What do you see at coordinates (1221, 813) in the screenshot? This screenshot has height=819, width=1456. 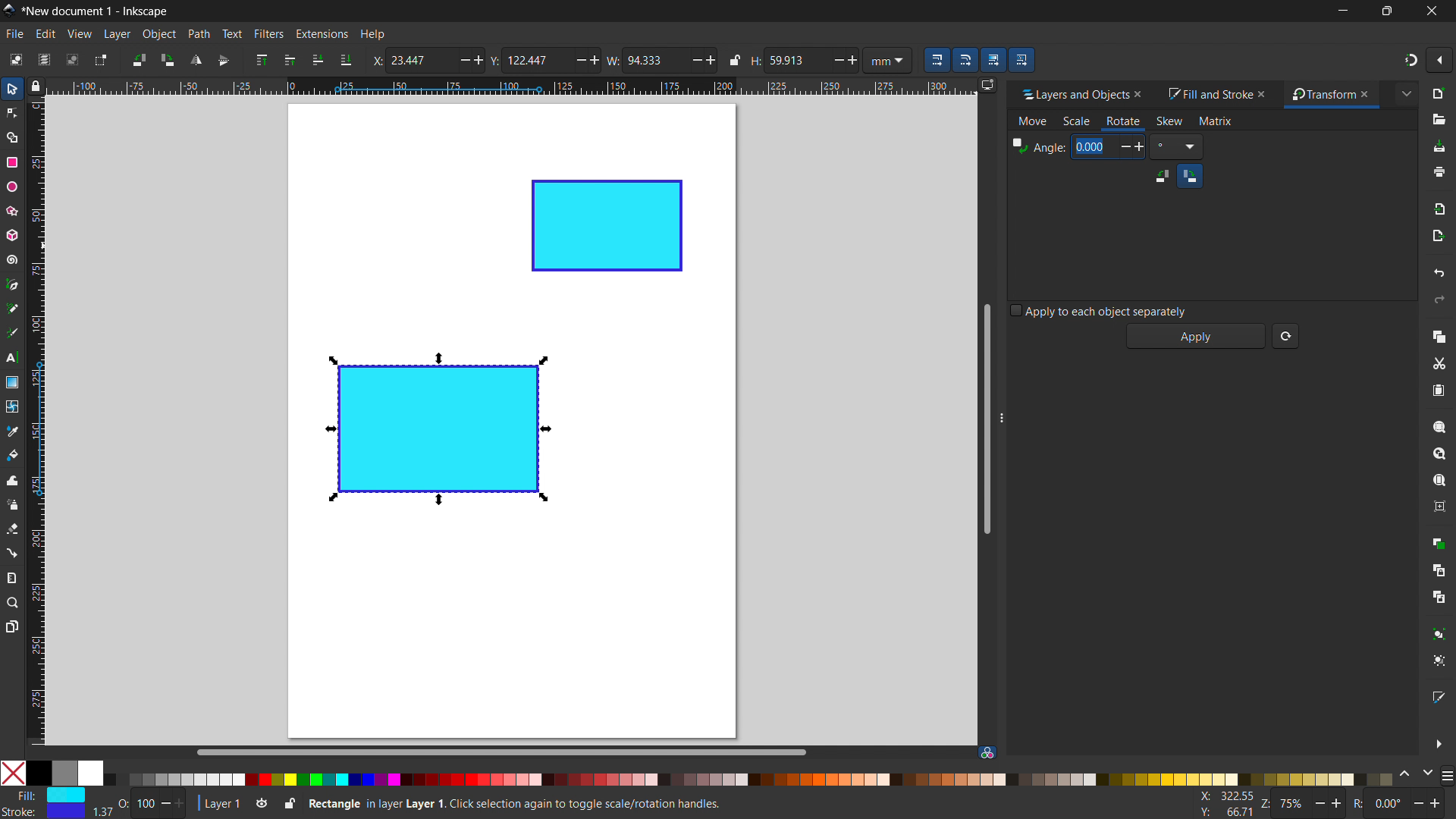 I see `Y: 160.93` at bounding box center [1221, 813].